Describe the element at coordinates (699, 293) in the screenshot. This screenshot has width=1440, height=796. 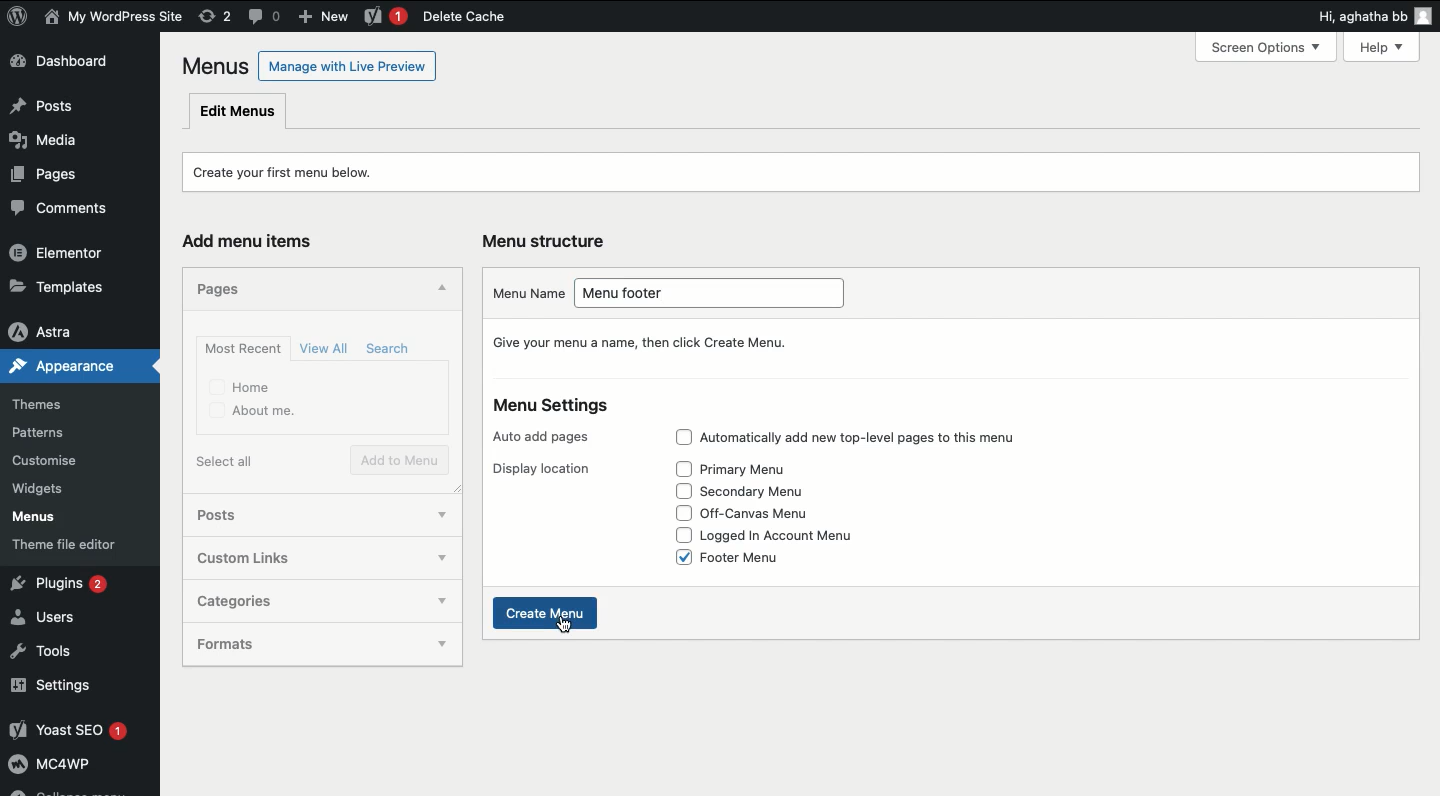
I see `Menu footer` at that location.